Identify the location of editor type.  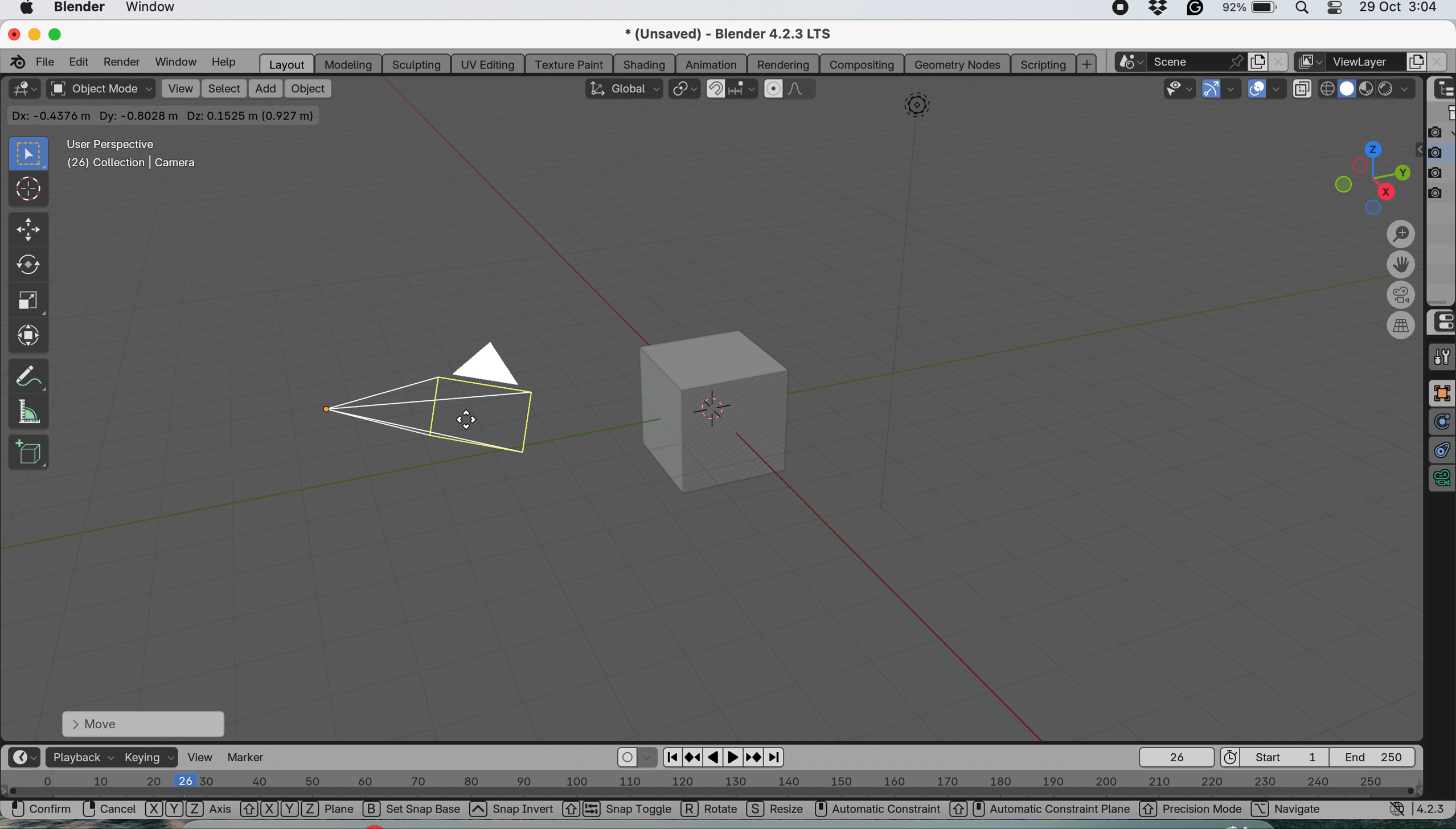
(23, 89).